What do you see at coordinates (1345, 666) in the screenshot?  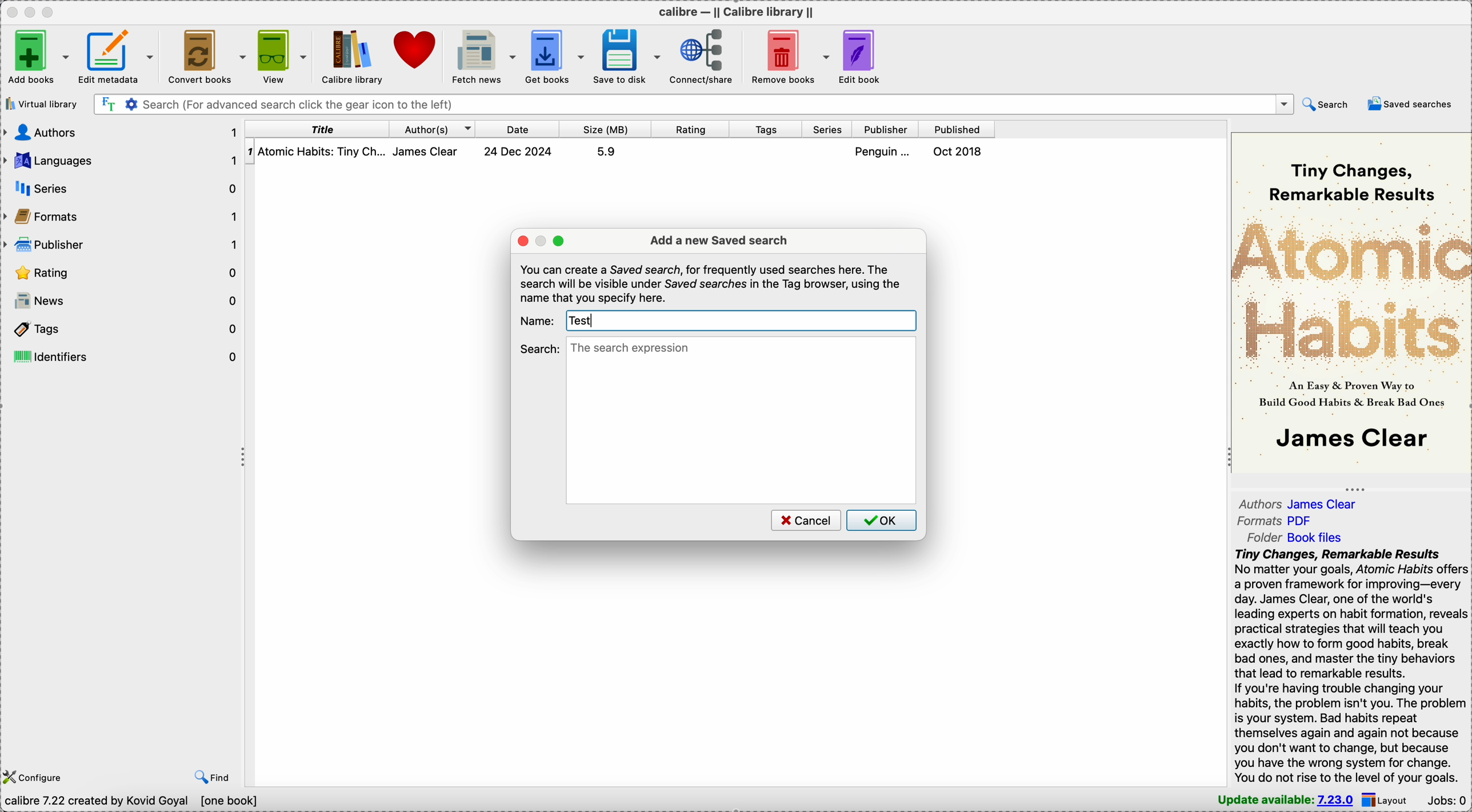 I see `riny Changes, kemarkabie Kesuits

No matter your goals, Atomic Habits offers
a proven framework for improving—every
day. James Clear, one of the world's
leading experts on habit formation, reveals
practical strategies that will teach you
exactly how to form good habits, break
bad ones, and master the tiny behaviors
that lead to remarkable results.

If you're having trouble changing your
habits, the problem isn't you. The problem
is your system. Bad habits repeat
themselves again and again not because
you don't want to change, but because
you have the wrong system for change.
You do not rise to the level of your goals.` at bounding box center [1345, 666].